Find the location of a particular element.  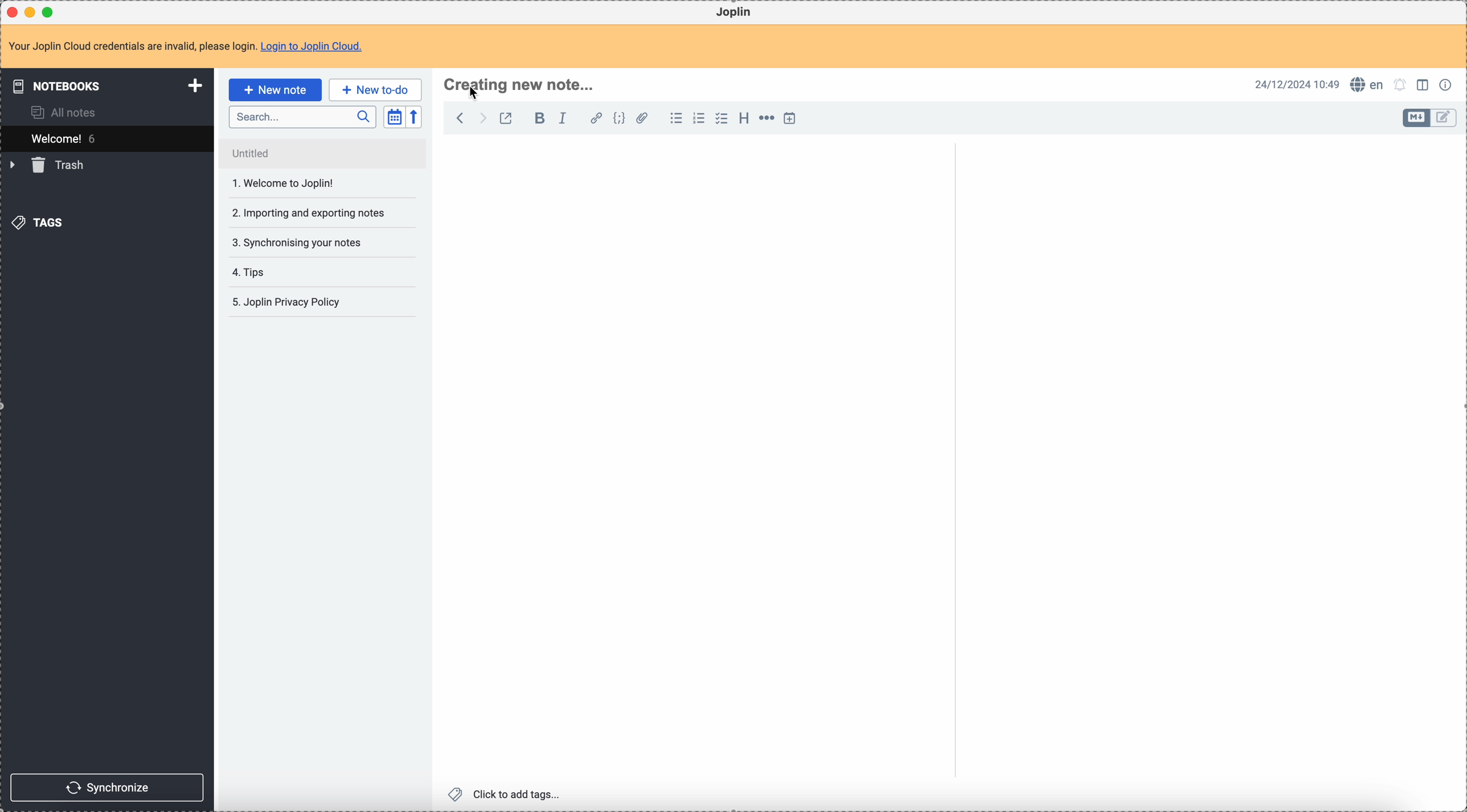

hyperlink is located at coordinates (596, 119).